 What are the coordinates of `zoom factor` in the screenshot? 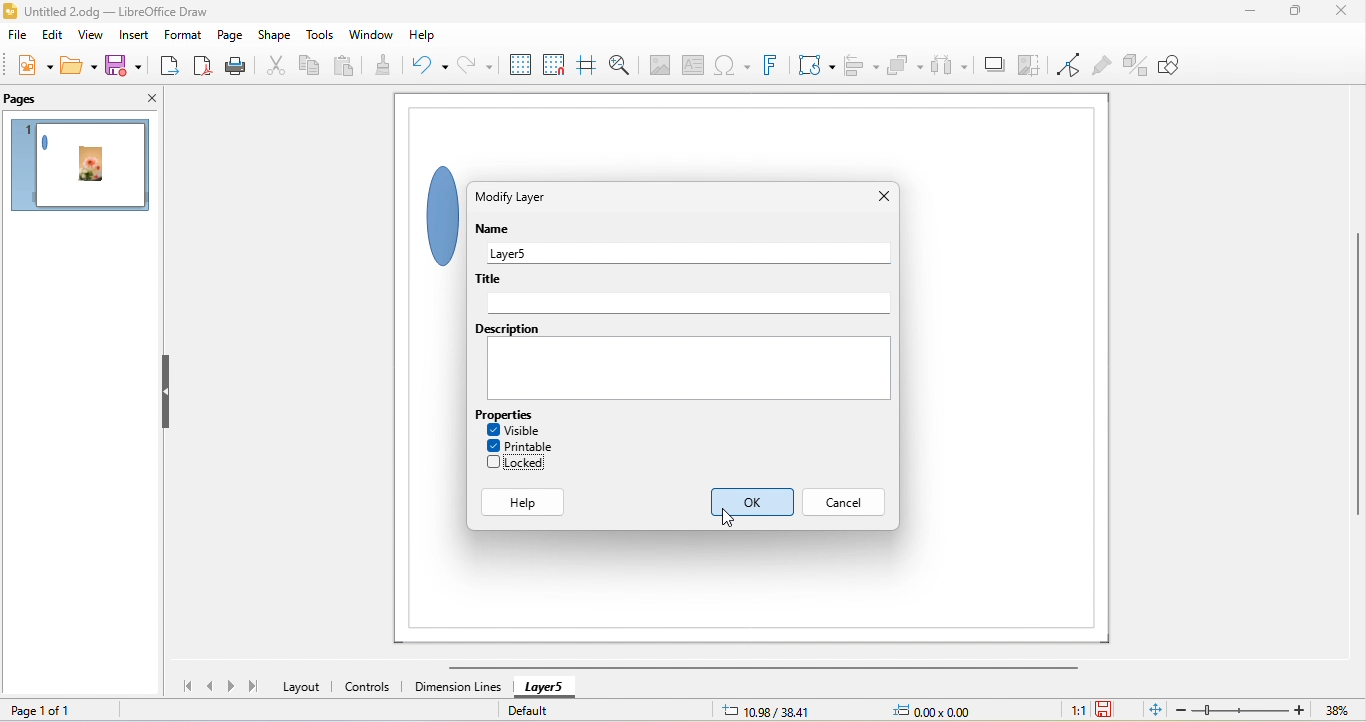 It's located at (1337, 710).